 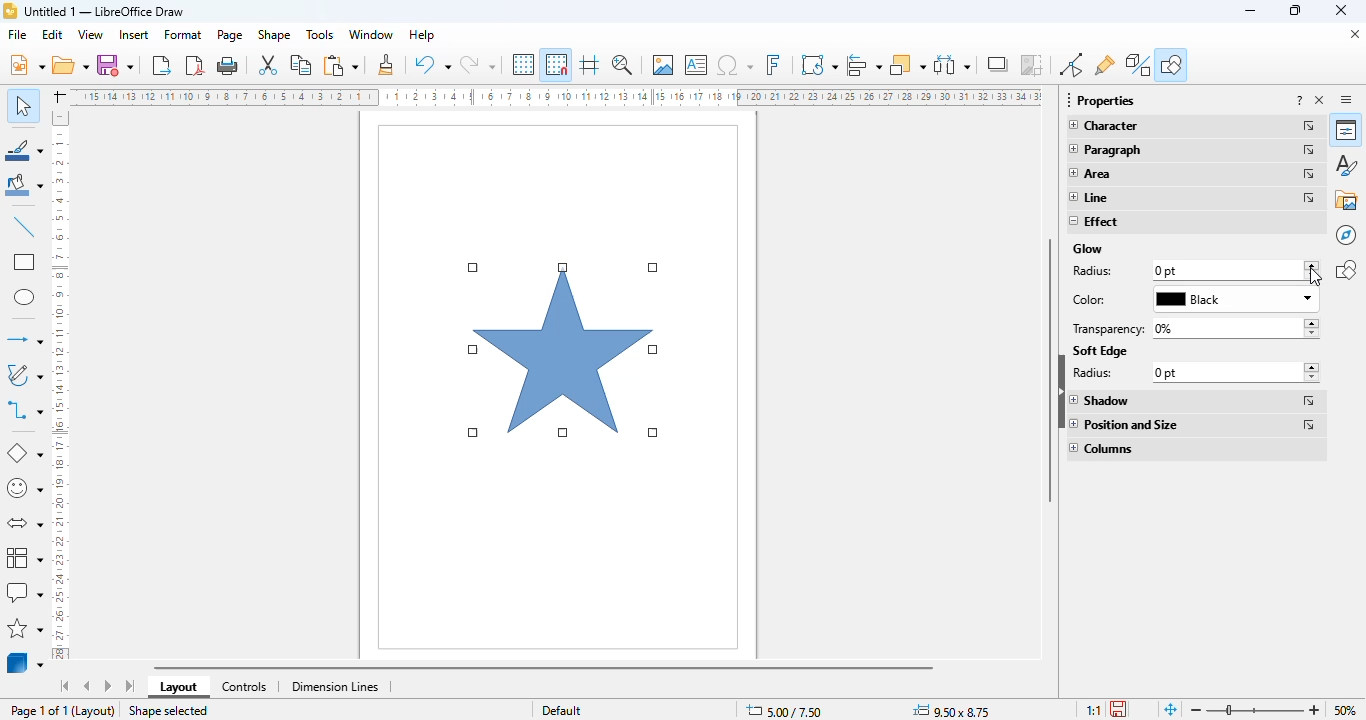 I want to click on toggle point edit mode, so click(x=1072, y=65).